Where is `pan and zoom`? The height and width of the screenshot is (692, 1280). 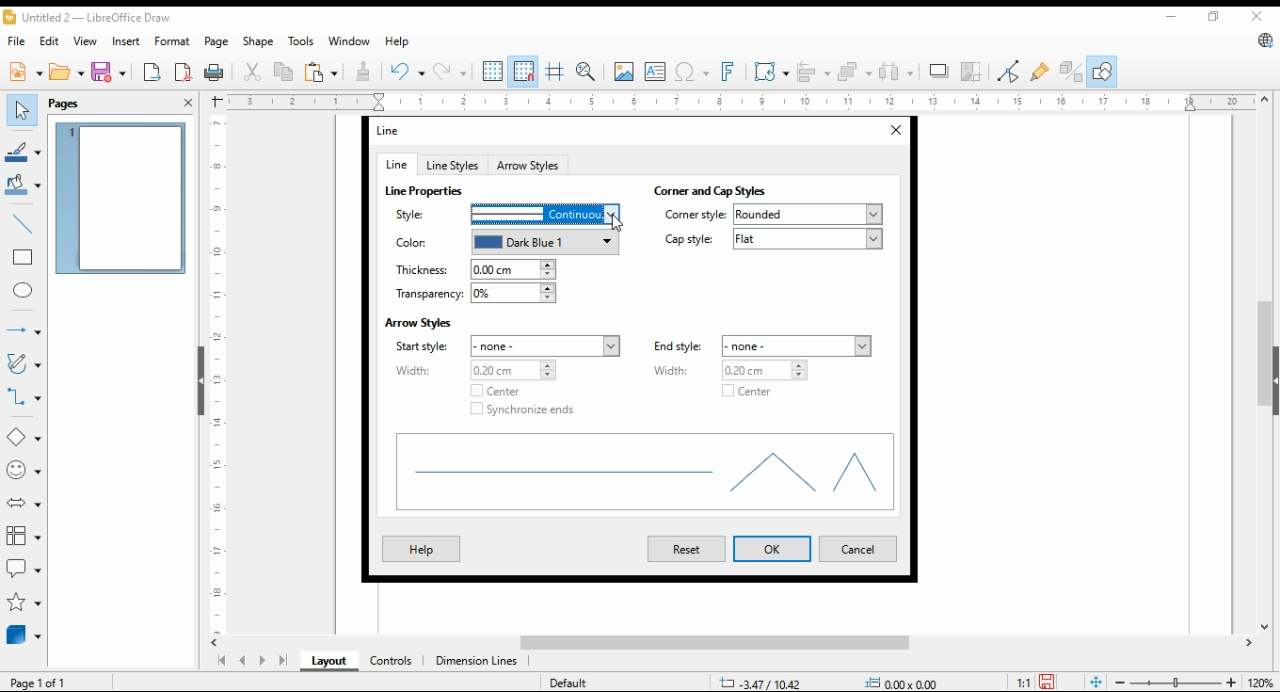 pan and zoom is located at coordinates (587, 72).